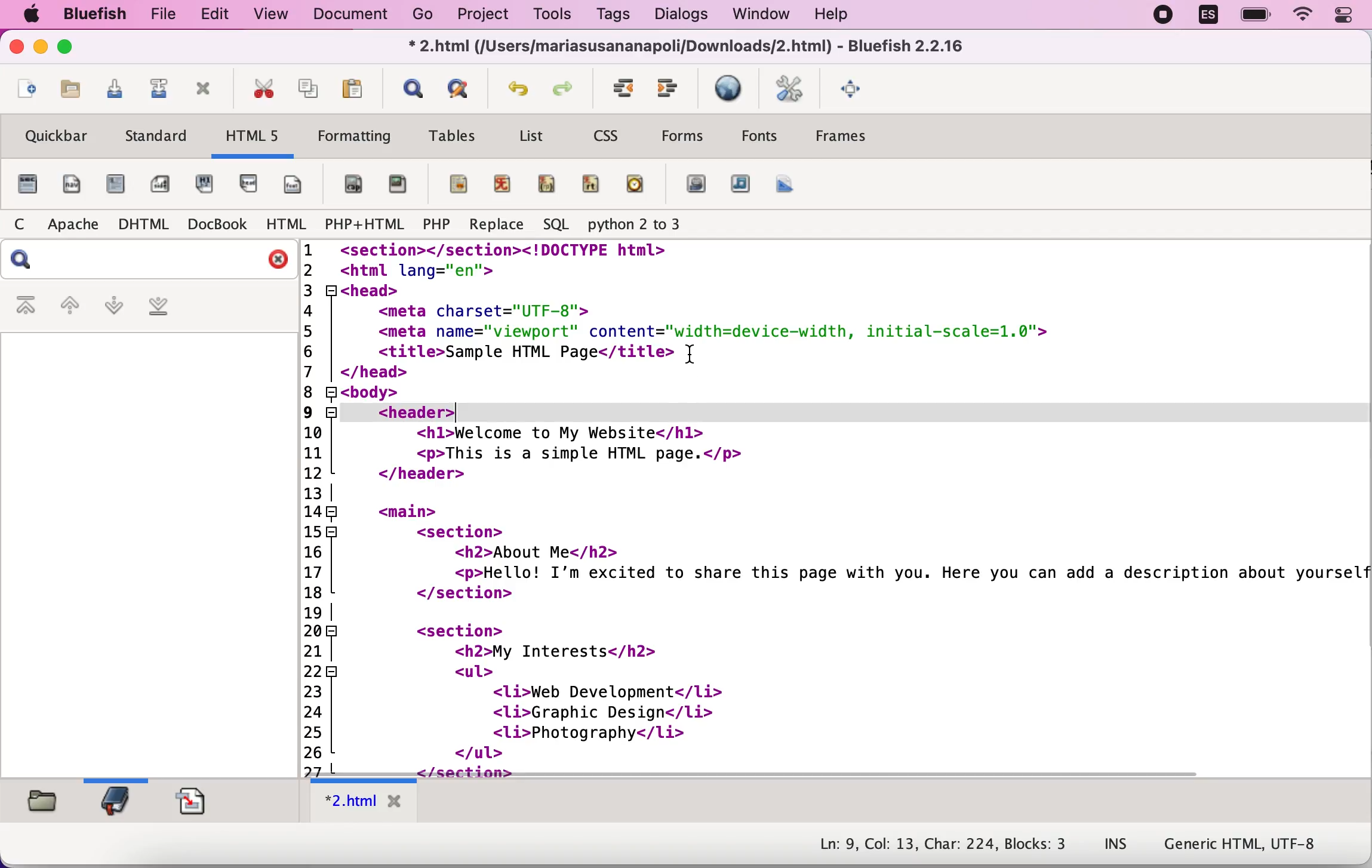 This screenshot has height=868, width=1372. What do you see at coordinates (670, 90) in the screenshot?
I see `indent` at bounding box center [670, 90].